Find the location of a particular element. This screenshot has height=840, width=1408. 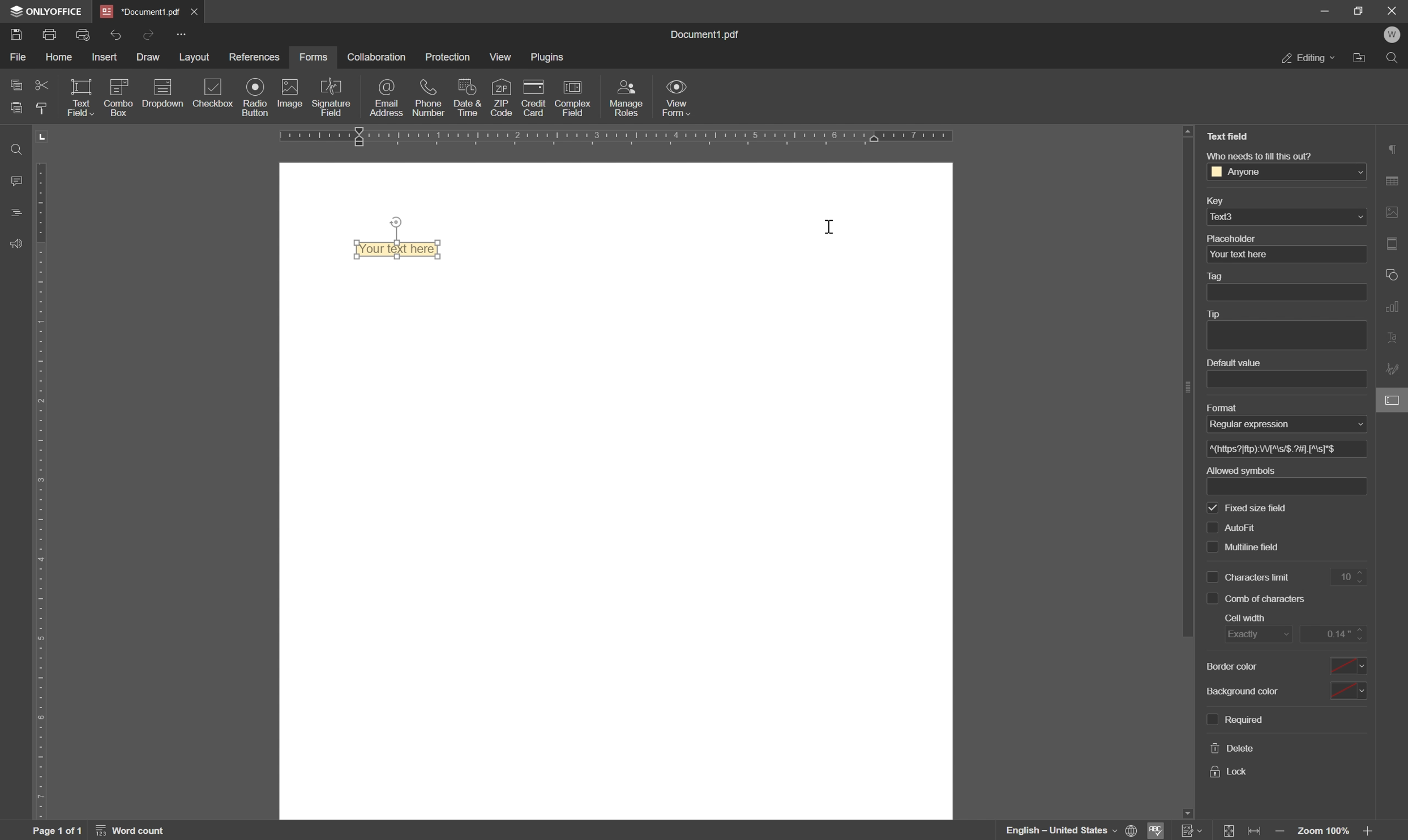

key is located at coordinates (1213, 202).